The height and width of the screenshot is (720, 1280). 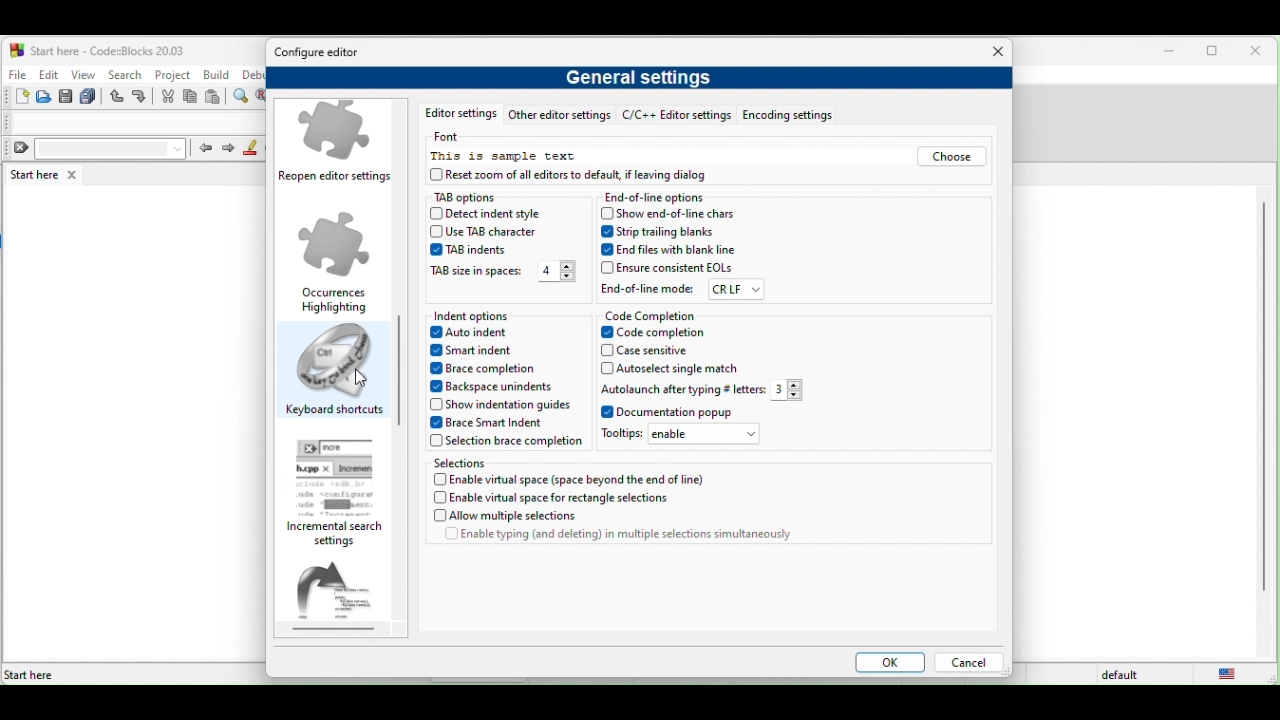 I want to click on paste, so click(x=214, y=98).